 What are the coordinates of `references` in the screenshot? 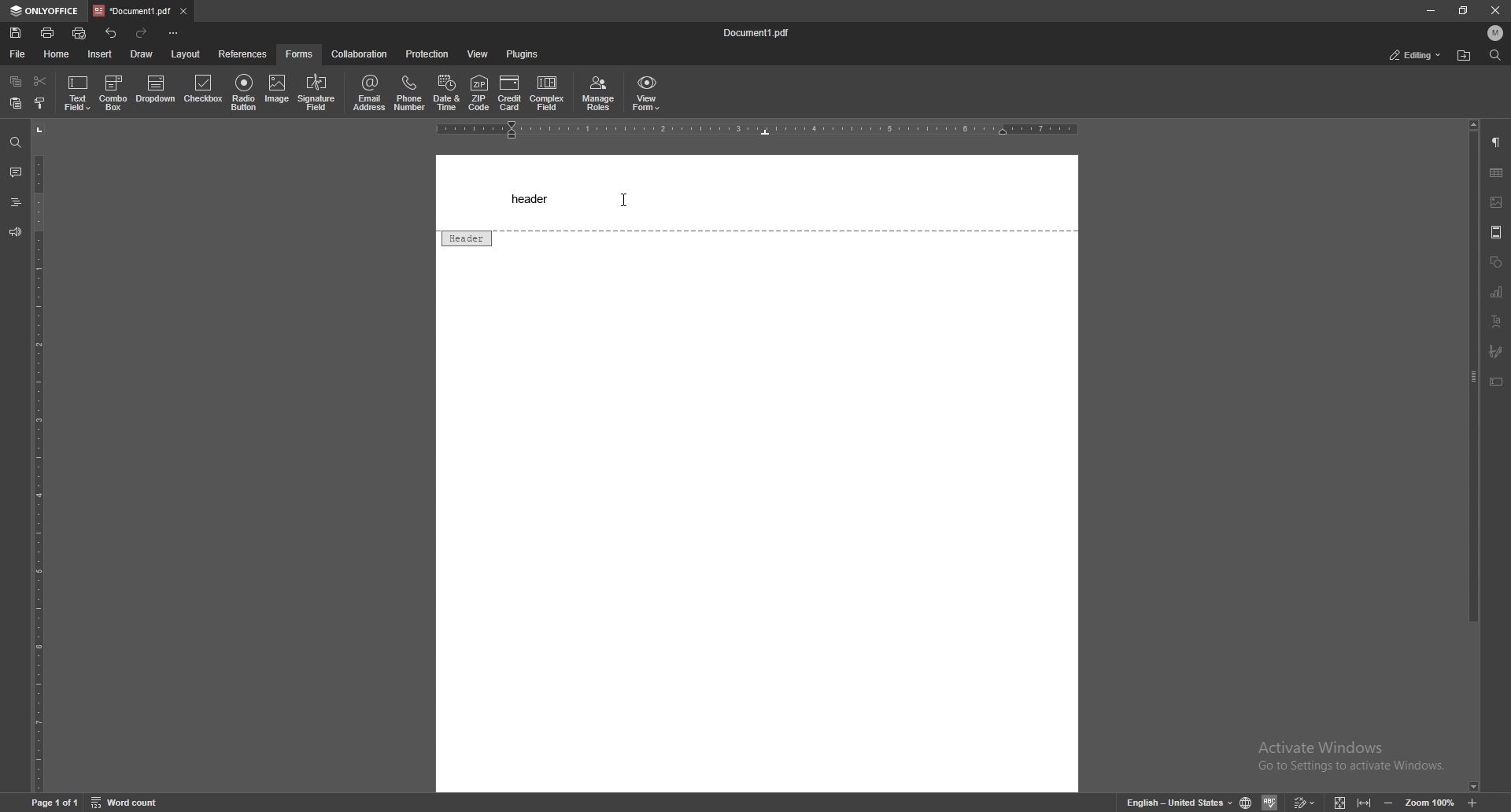 It's located at (243, 54).